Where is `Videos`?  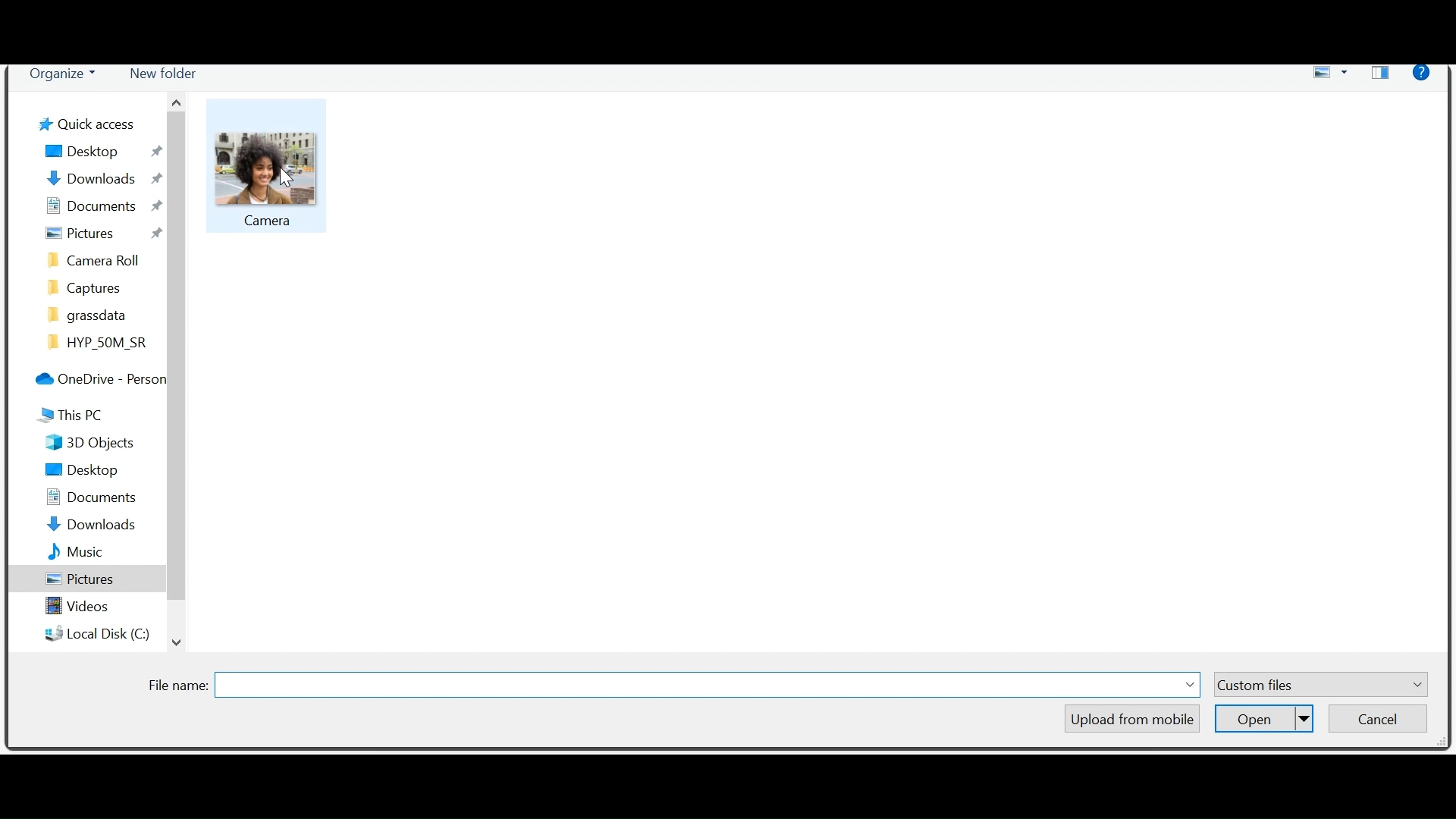 Videos is located at coordinates (85, 607).